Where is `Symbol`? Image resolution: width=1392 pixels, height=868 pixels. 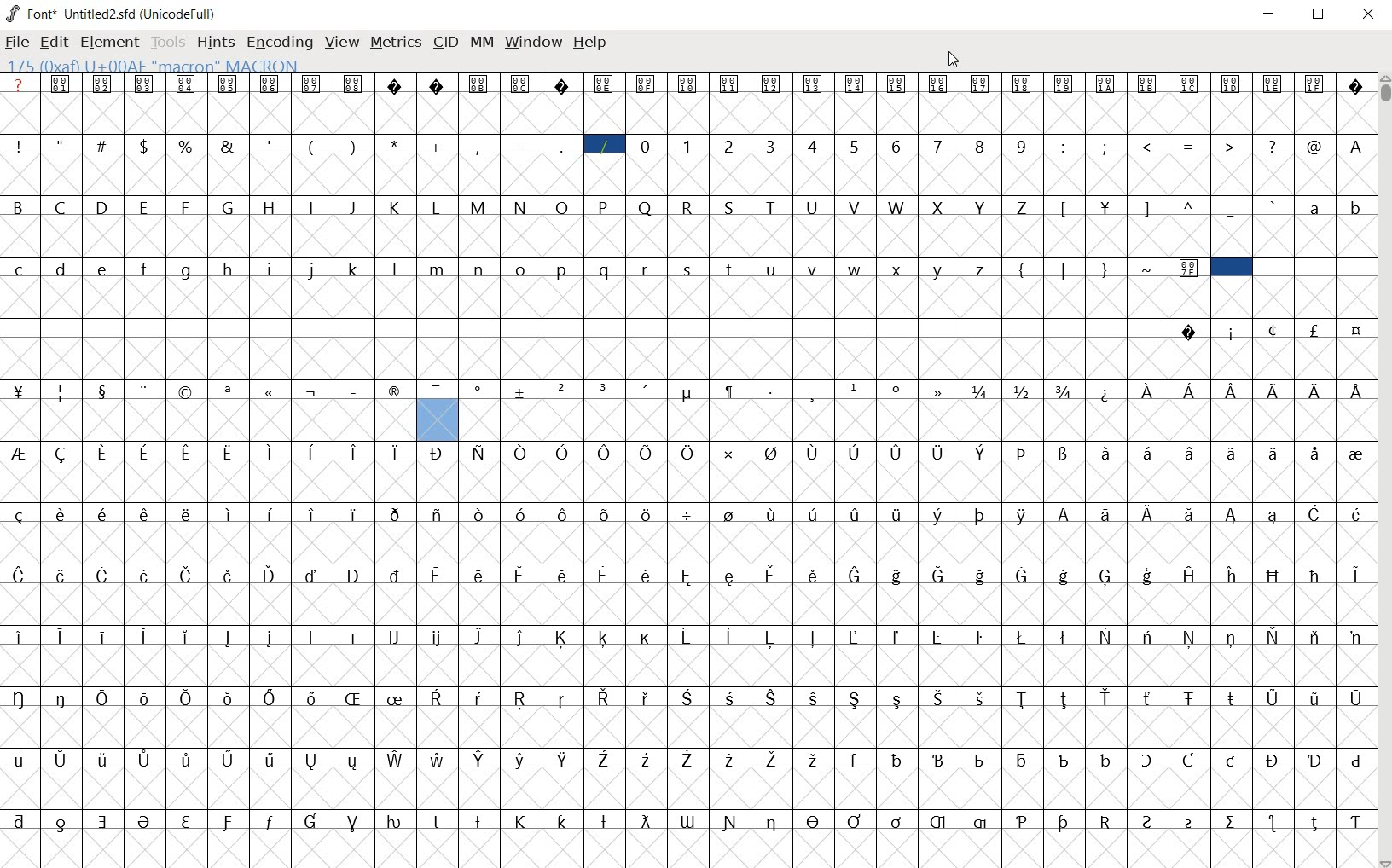
Symbol is located at coordinates (189, 635).